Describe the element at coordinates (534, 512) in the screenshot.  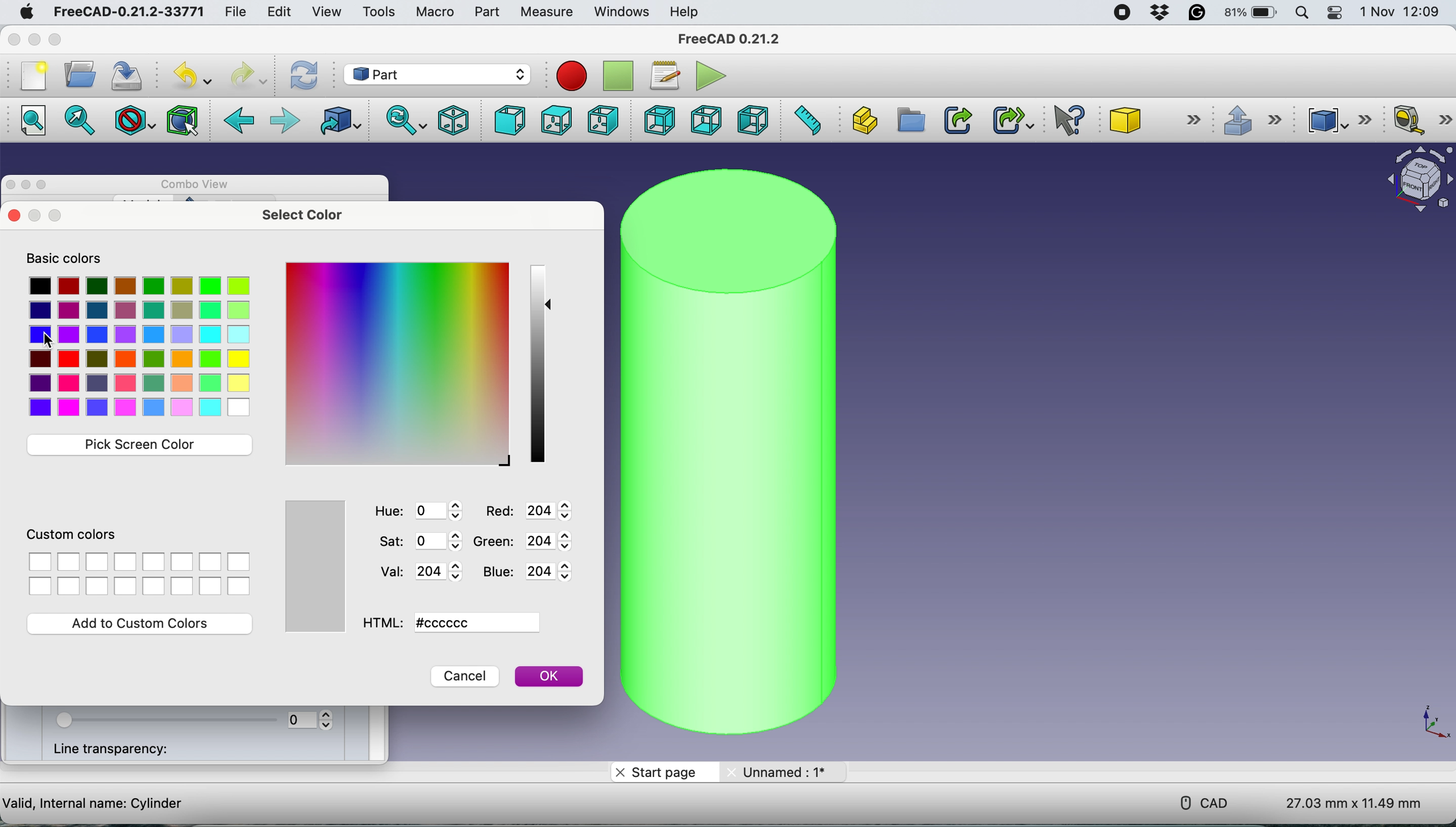
I see `red` at that location.